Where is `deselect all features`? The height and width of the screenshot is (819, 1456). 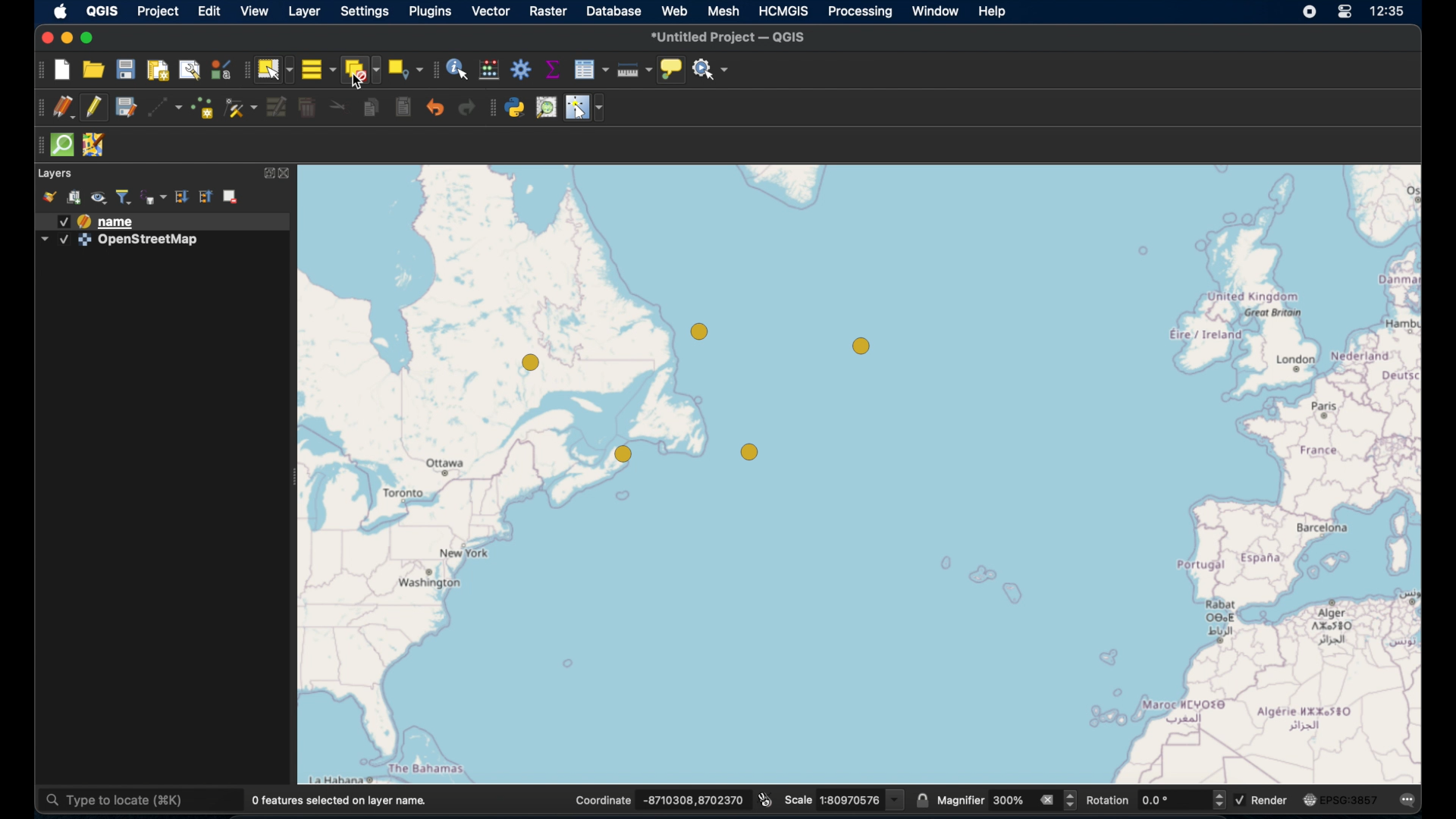 deselect all features is located at coordinates (362, 72).